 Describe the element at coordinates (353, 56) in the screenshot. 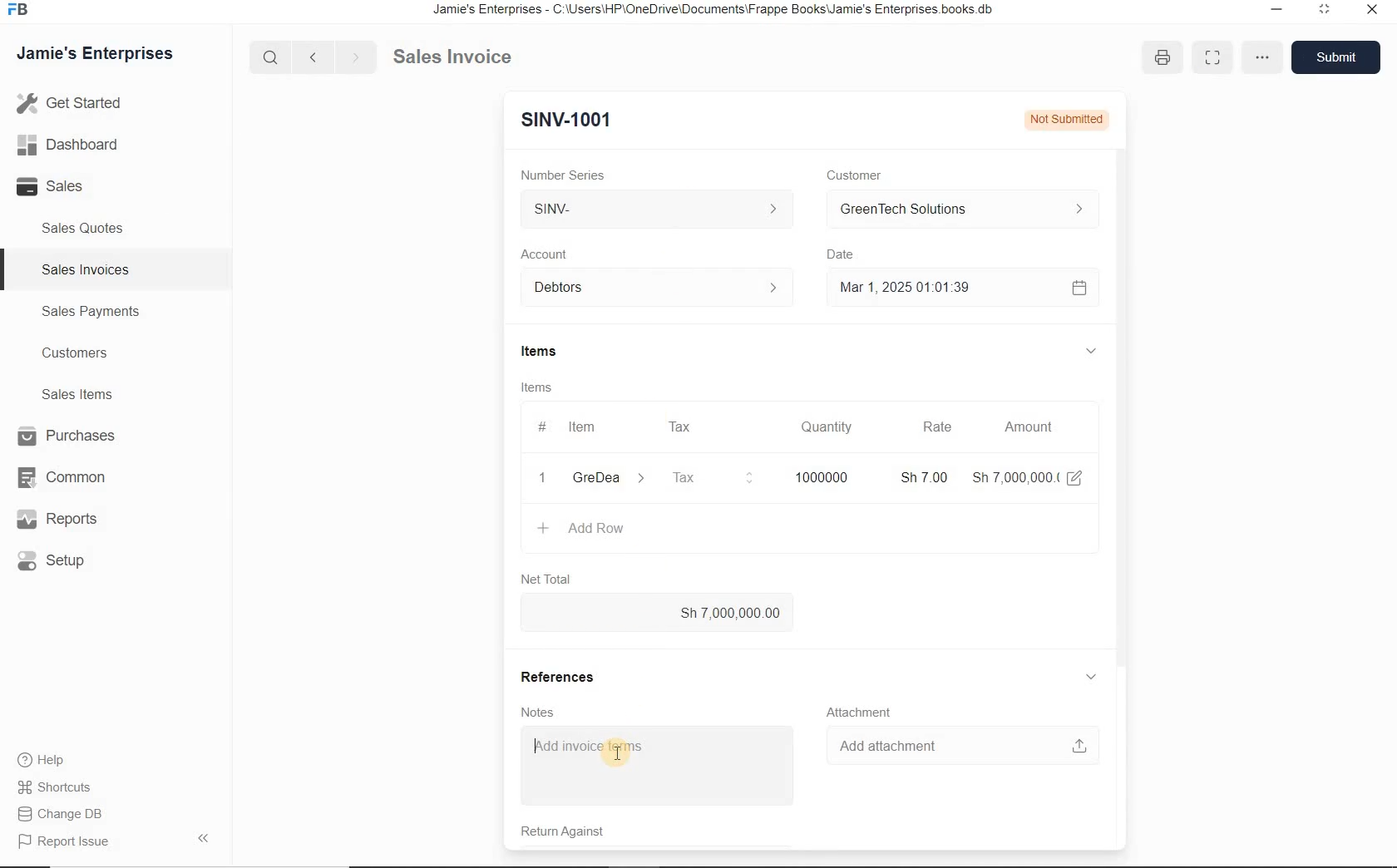

I see `next page` at that location.